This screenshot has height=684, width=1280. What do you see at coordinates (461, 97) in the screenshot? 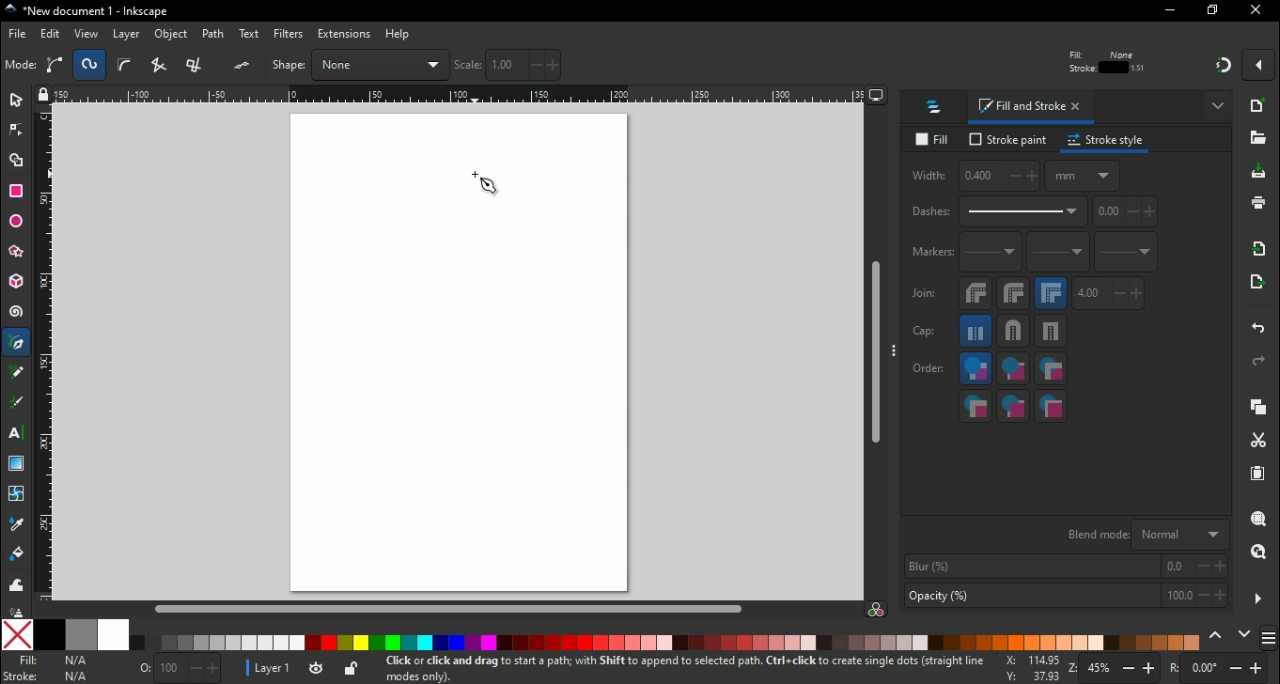
I see `horizontal ruler` at bounding box center [461, 97].